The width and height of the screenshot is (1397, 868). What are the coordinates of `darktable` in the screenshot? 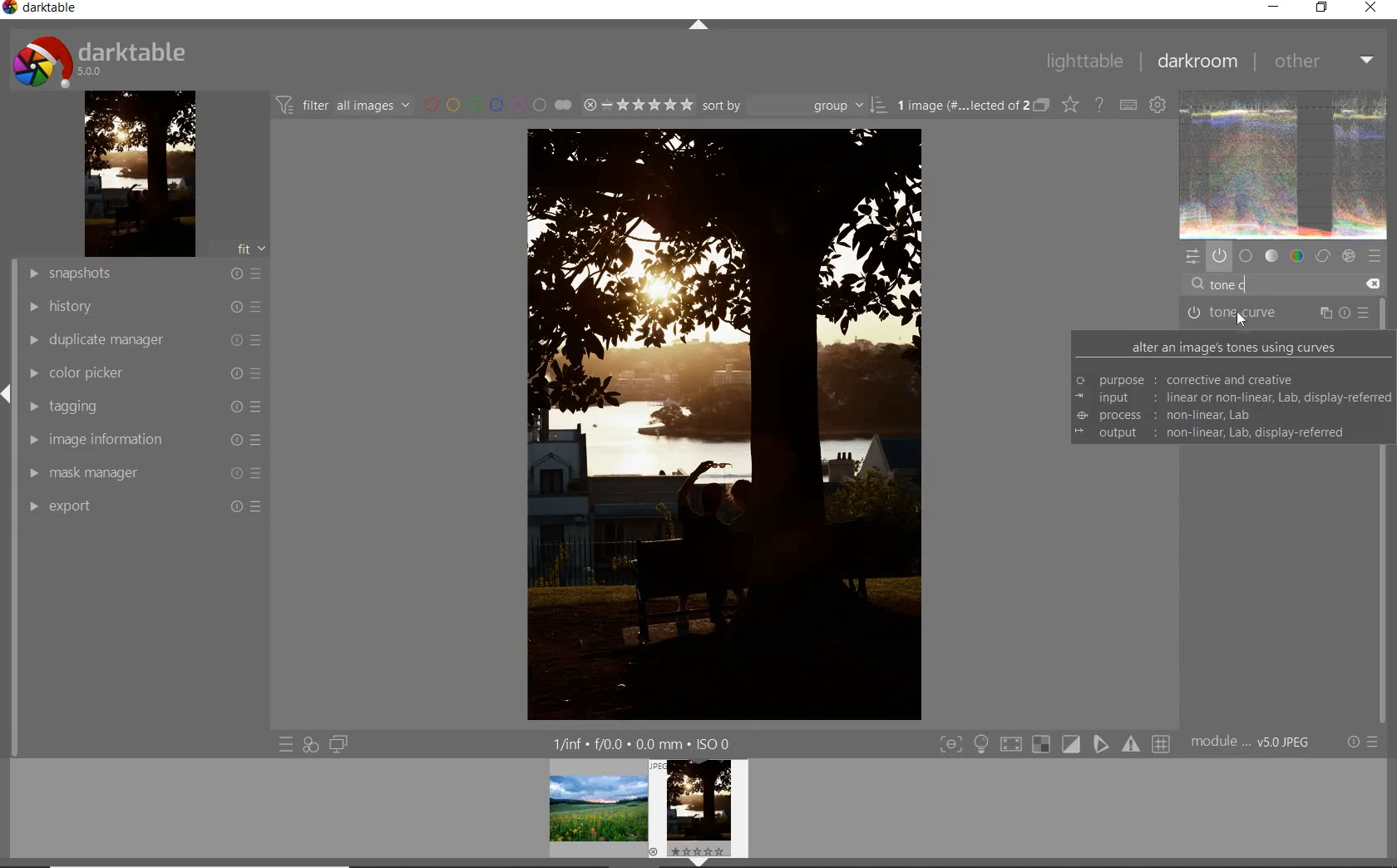 It's located at (99, 59).